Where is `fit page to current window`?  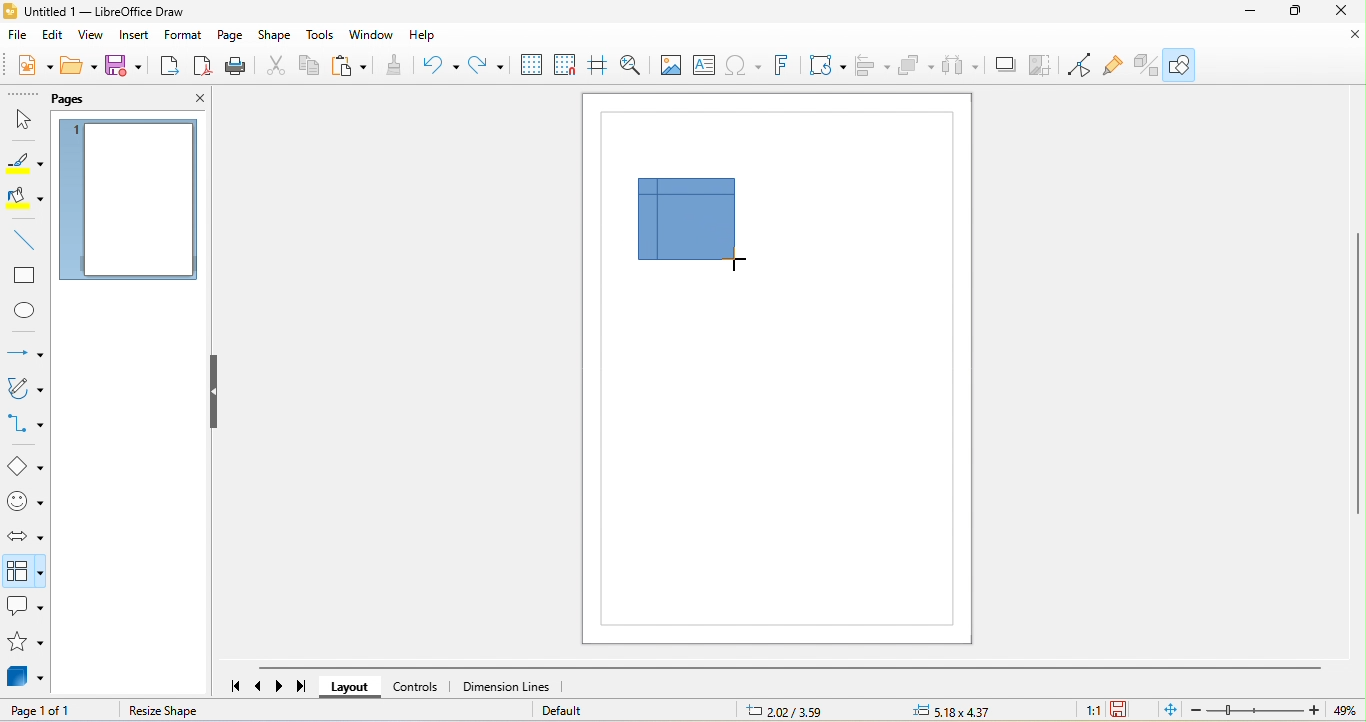
fit page to current window is located at coordinates (1165, 709).